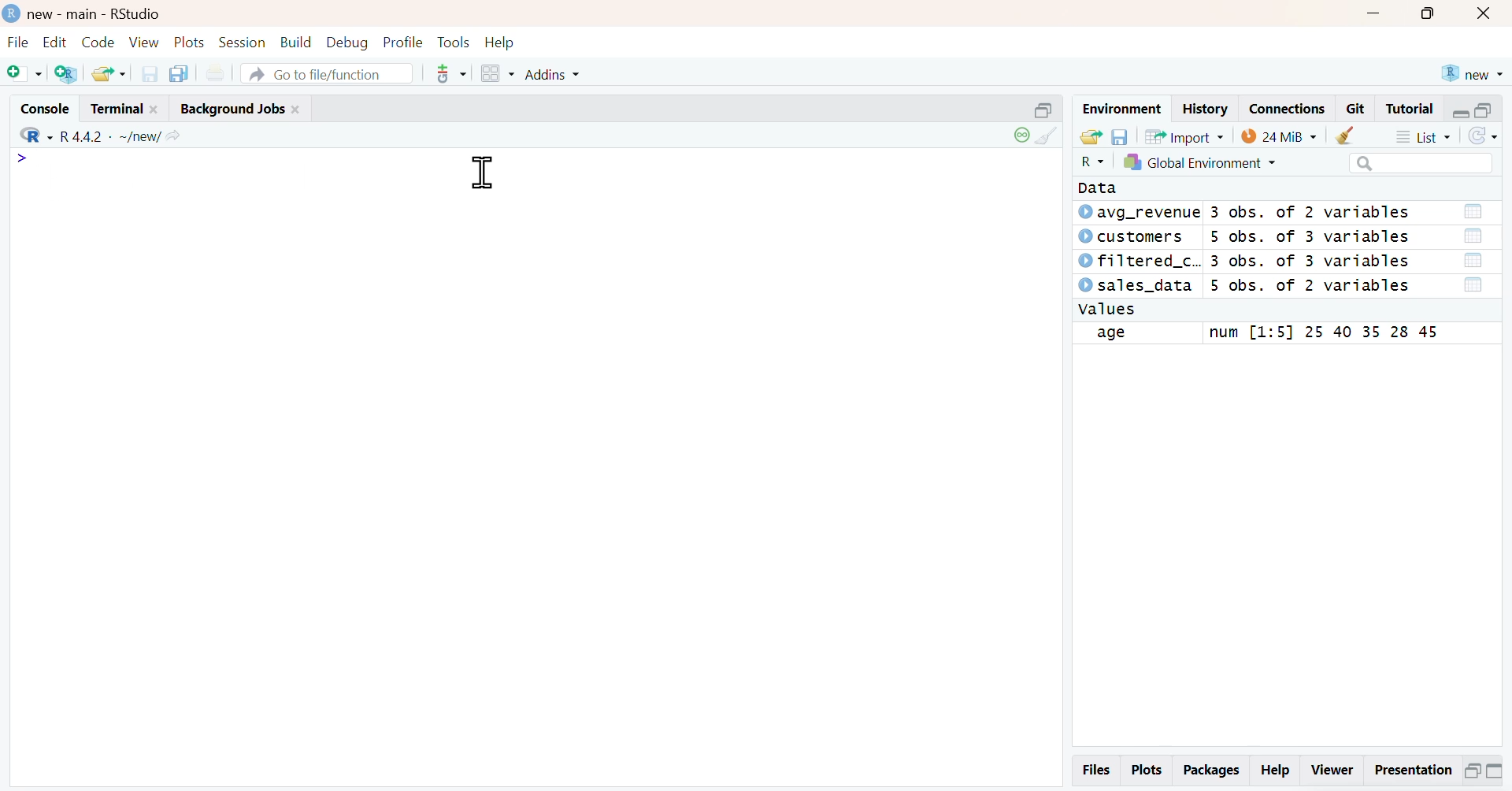 This screenshot has height=791, width=1512. I want to click on Dataset meta info, so click(1313, 250).